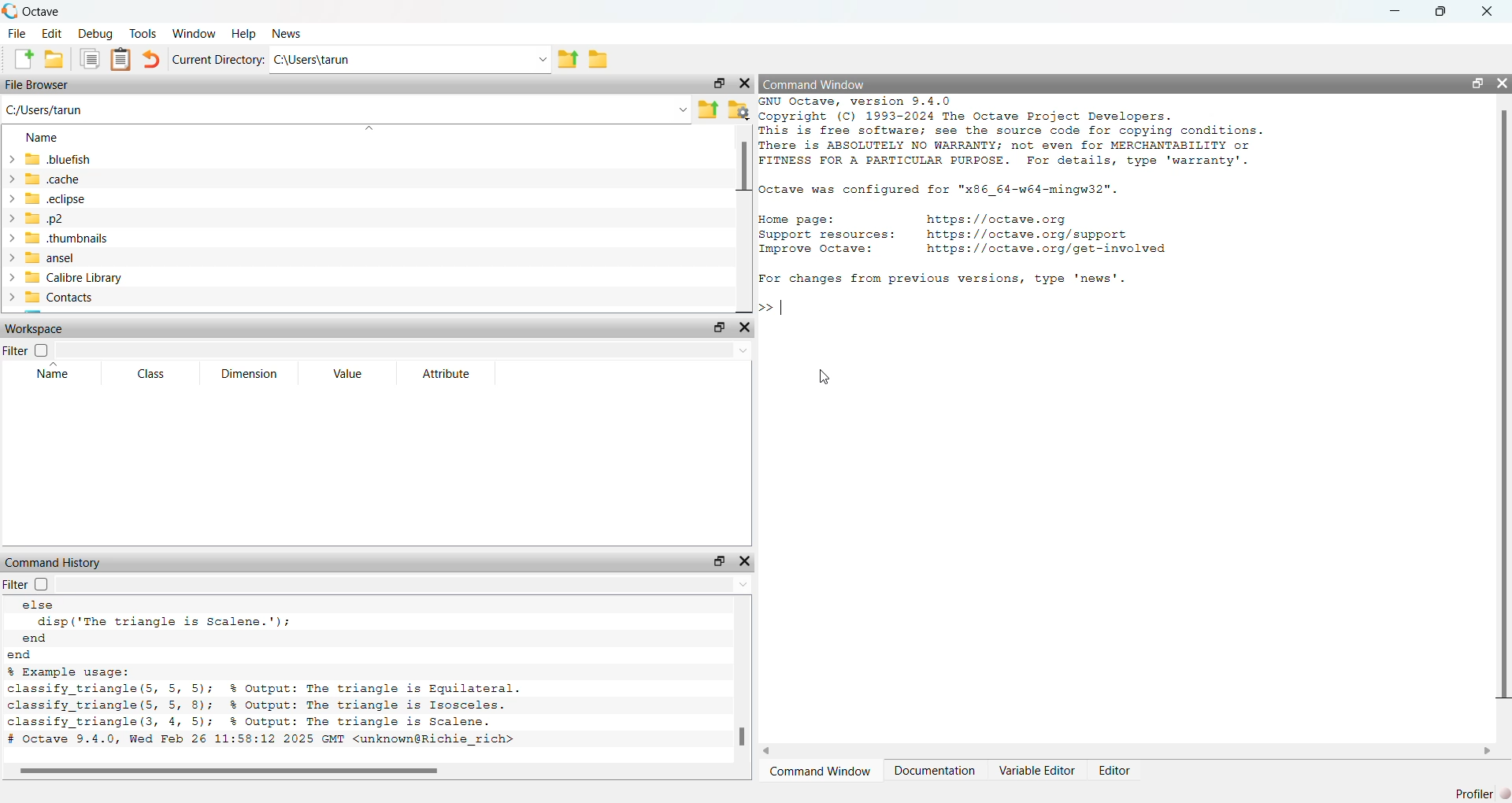  I want to click on copy, so click(89, 61).